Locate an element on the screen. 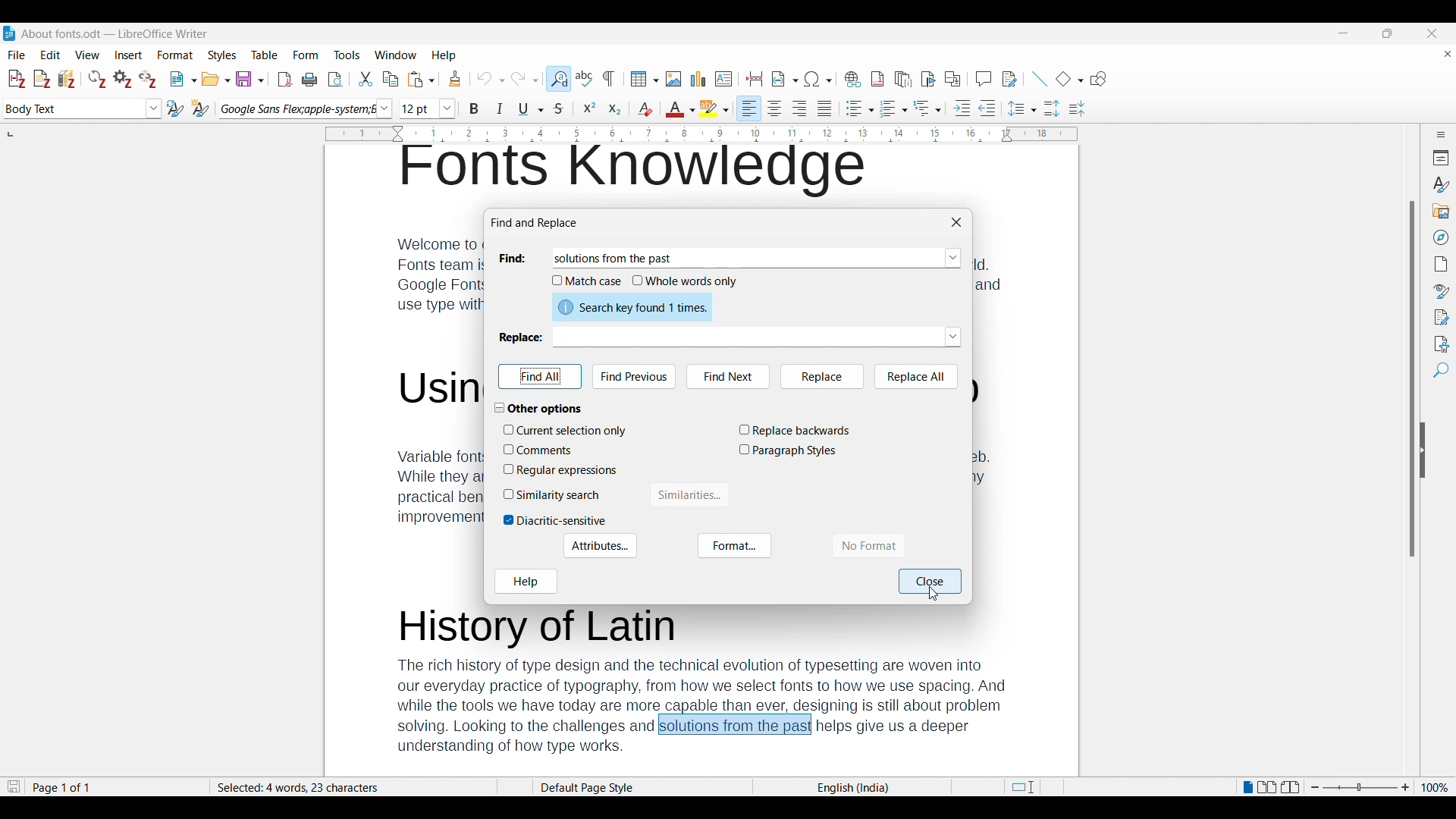  Multi page view is located at coordinates (1267, 787).